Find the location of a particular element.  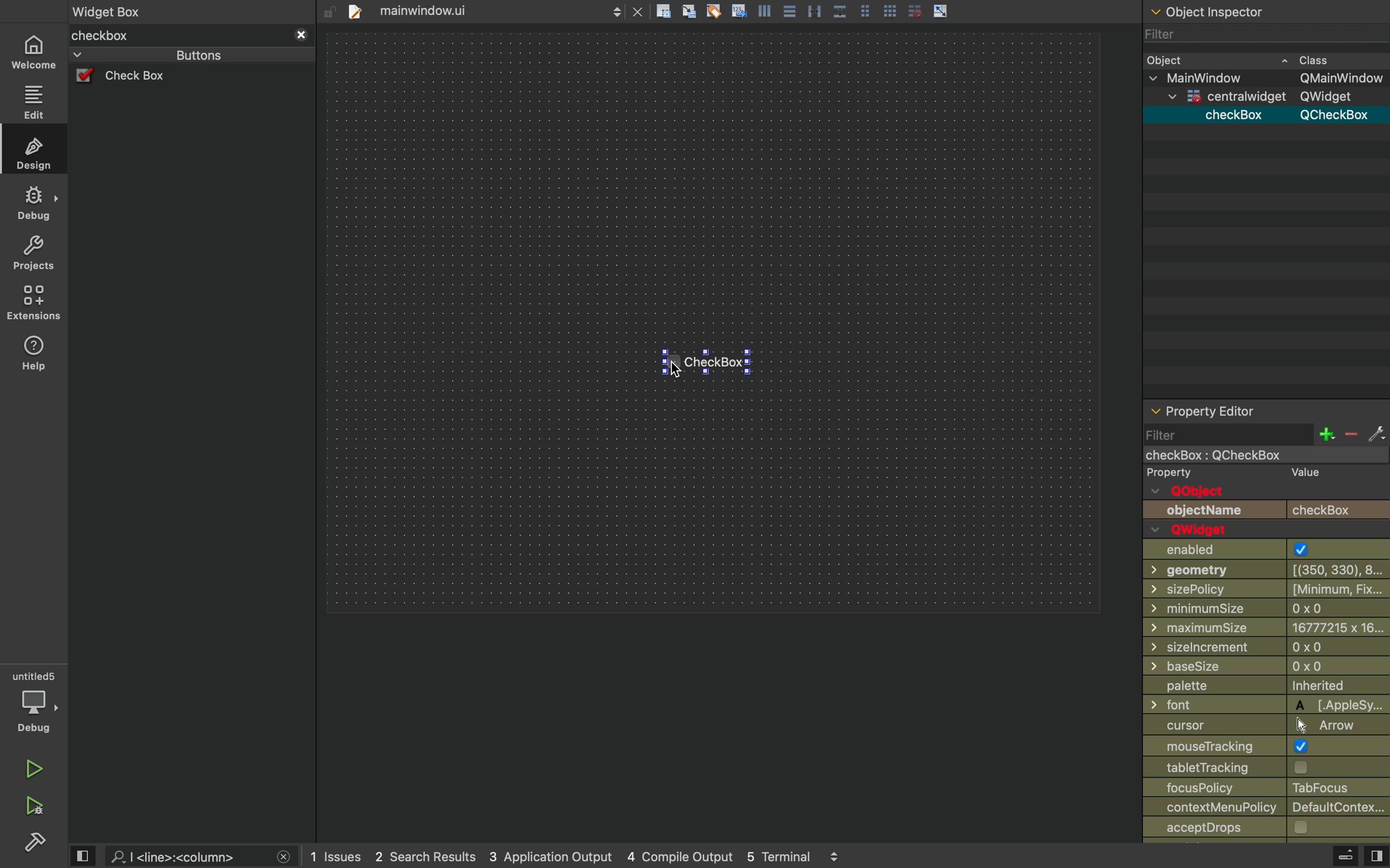

create rectangle is located at coordinates (663, 11).